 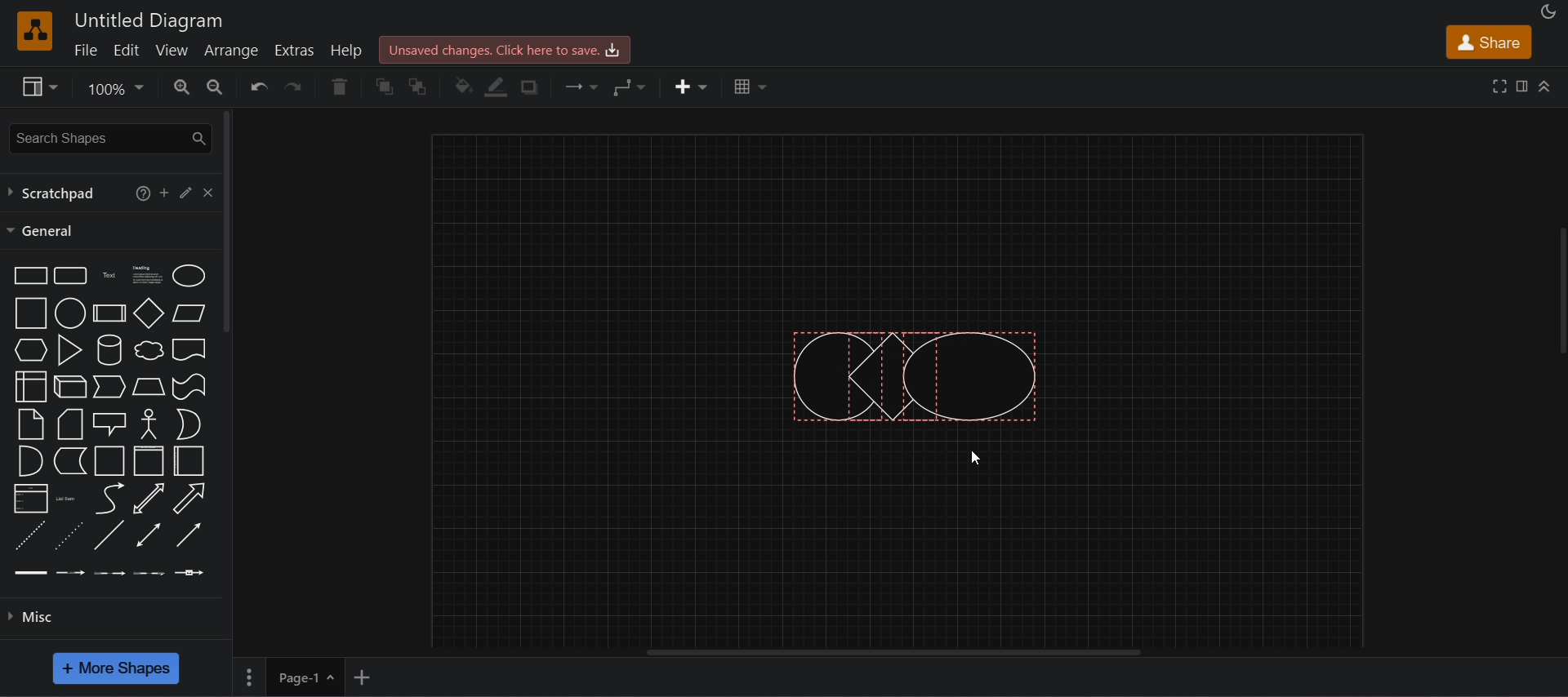 What do you see at coordinates (164, 192) in the screenshot?
I see `add` at bounding box center [164, 192].